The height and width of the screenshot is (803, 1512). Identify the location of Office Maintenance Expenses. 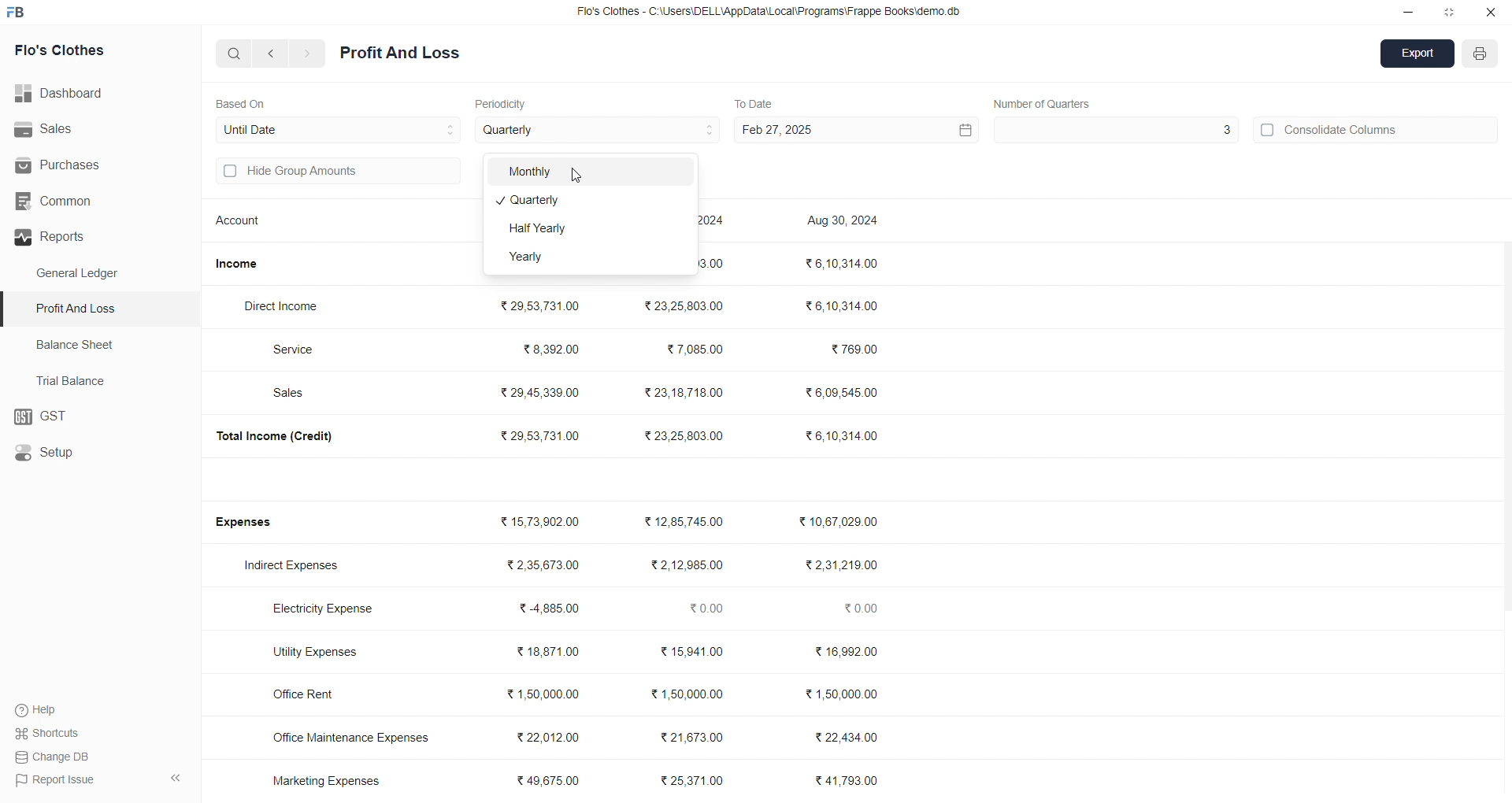
(351, 737).